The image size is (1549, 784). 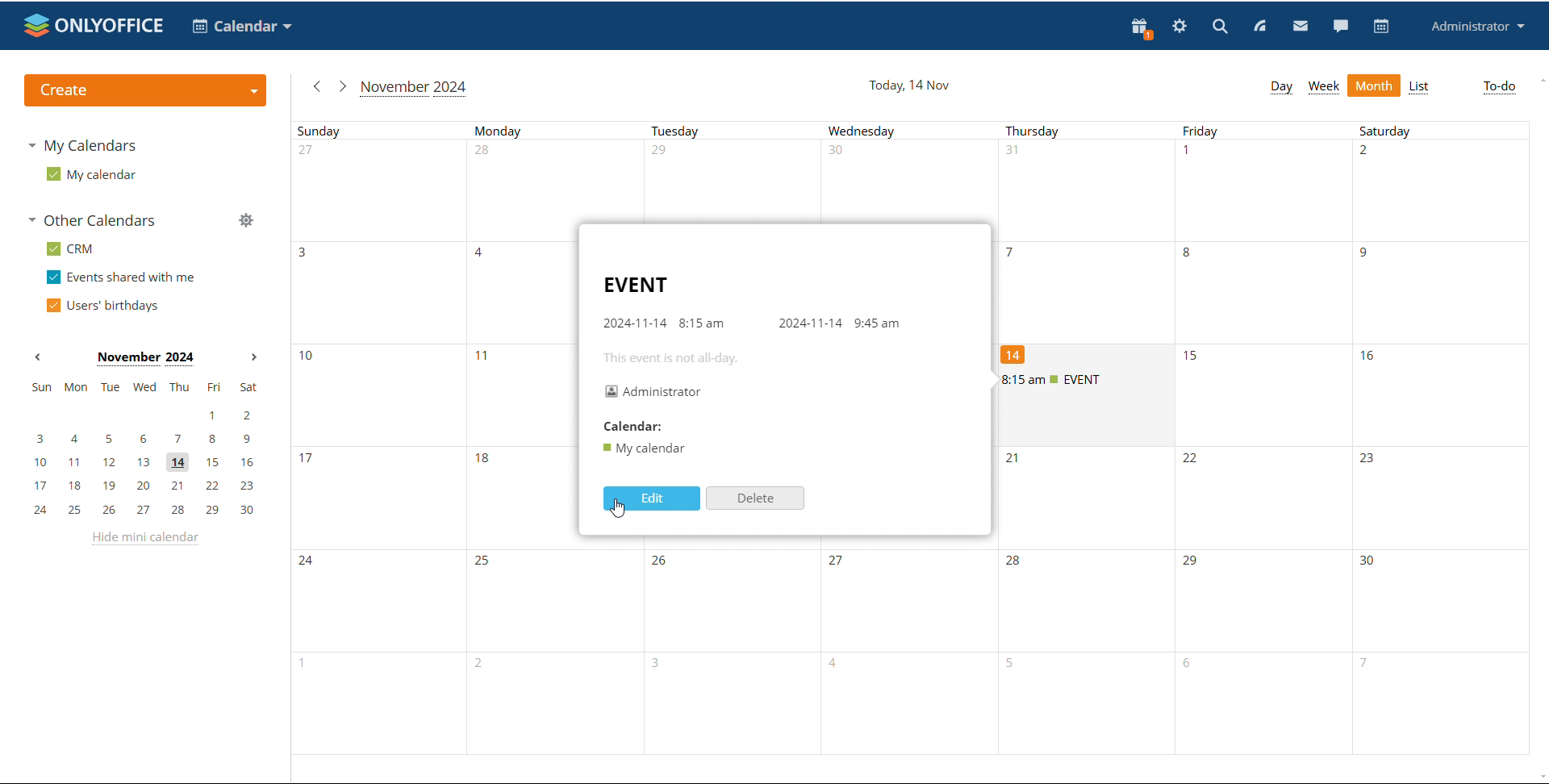 What do you see at coordinates (670, 360) in the screenshot?
I see `This event is not all - day` at bounding box center [670, 360].